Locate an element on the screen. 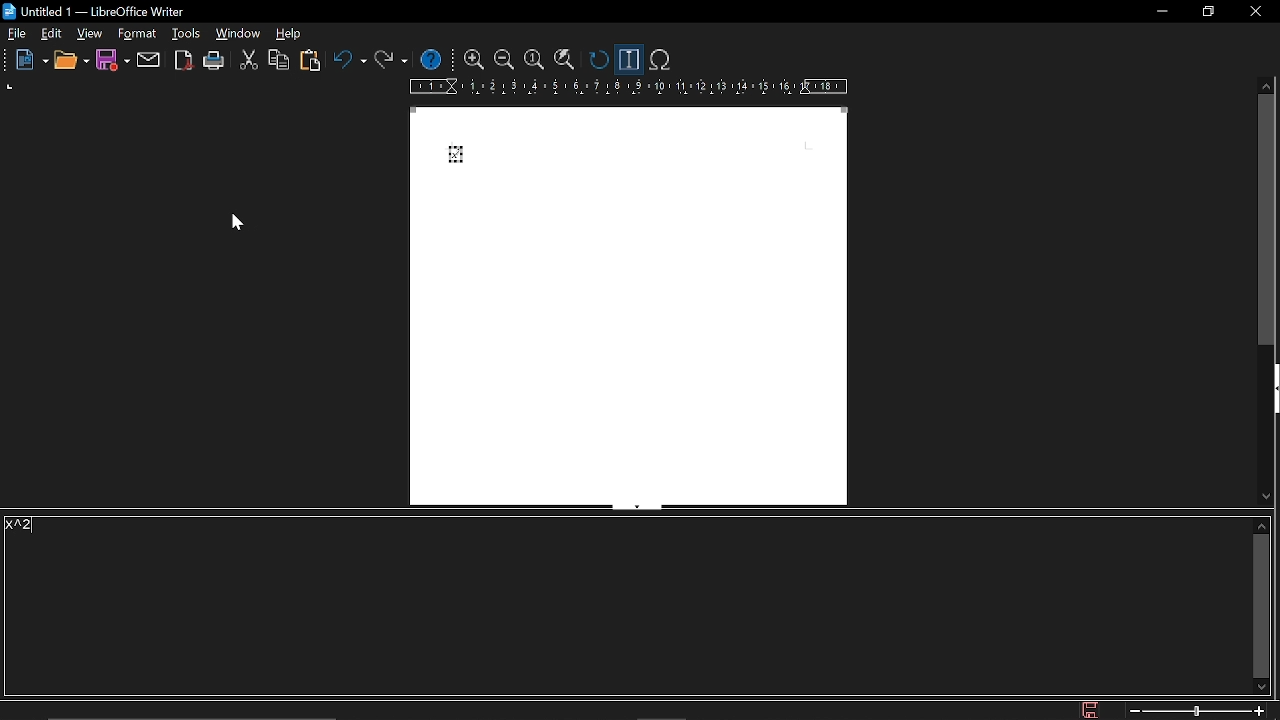  zoom out is located at coordinates (504, 60).